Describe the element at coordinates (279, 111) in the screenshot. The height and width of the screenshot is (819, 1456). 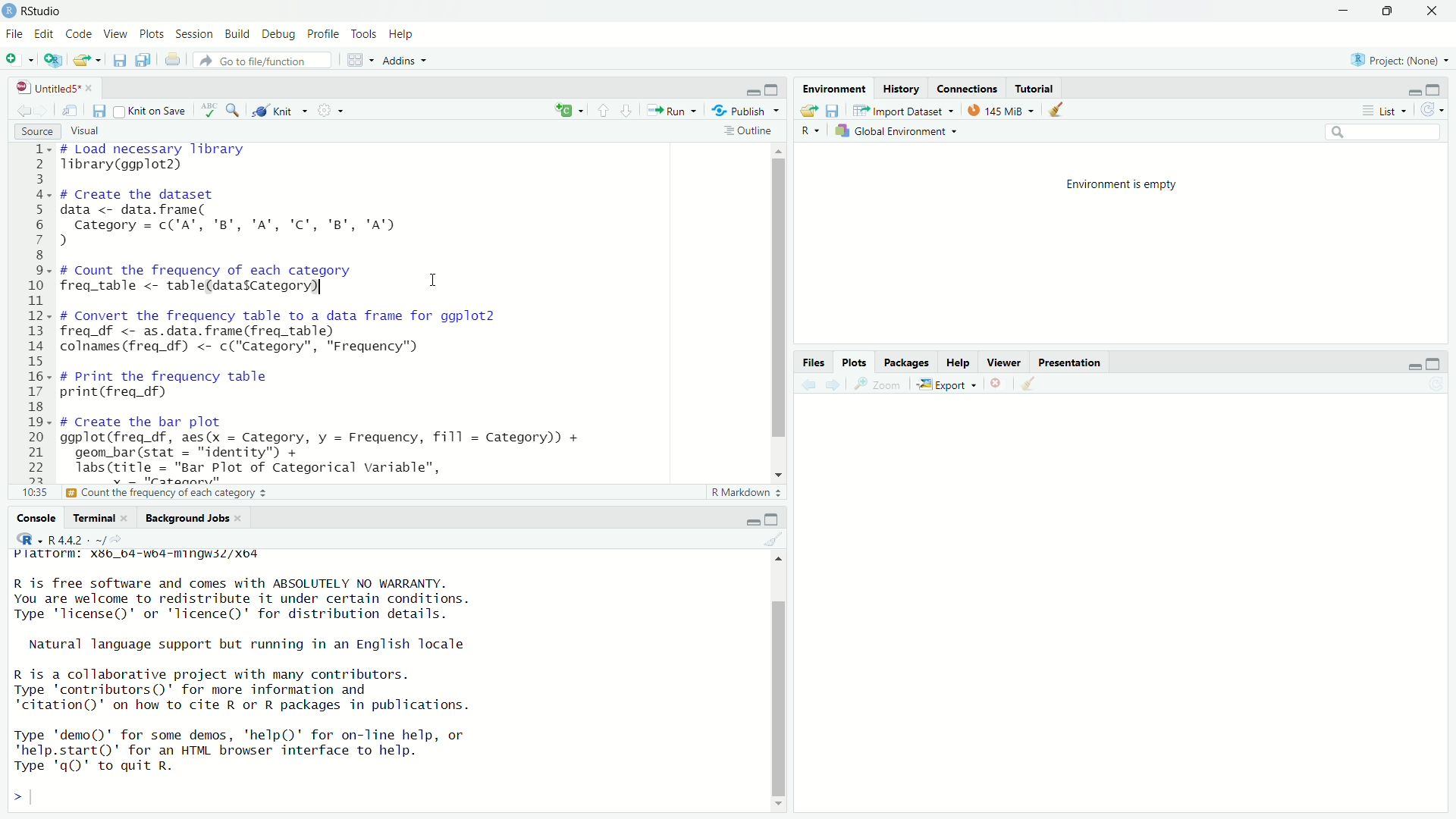
I see `knit` at that location.